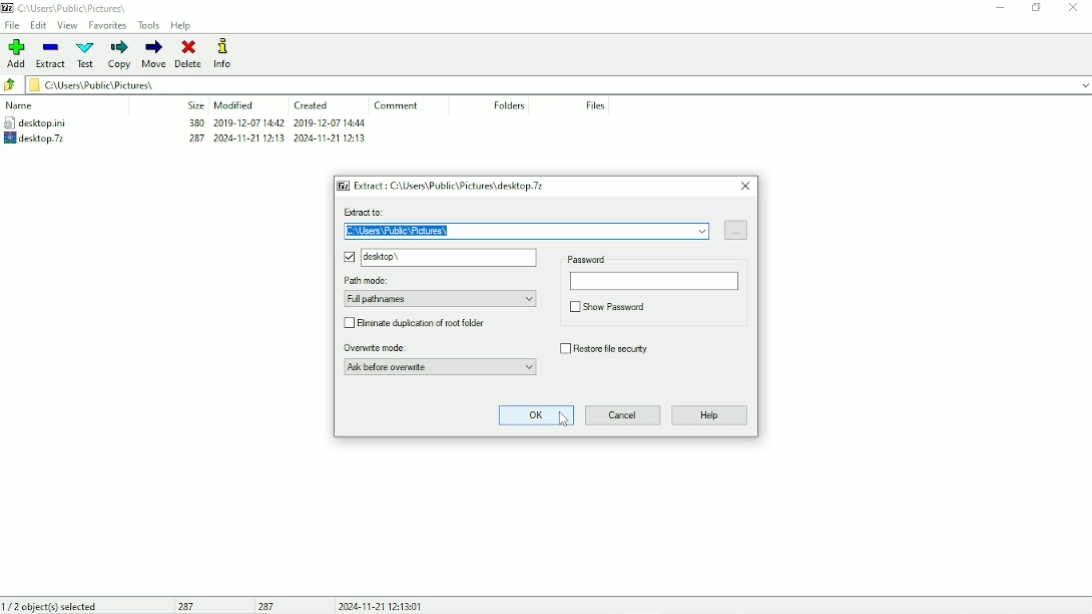 The image size is (1092, 614). Describe the element at coordinates (565, 425) in the screenshot. I see `cursor` at that location.